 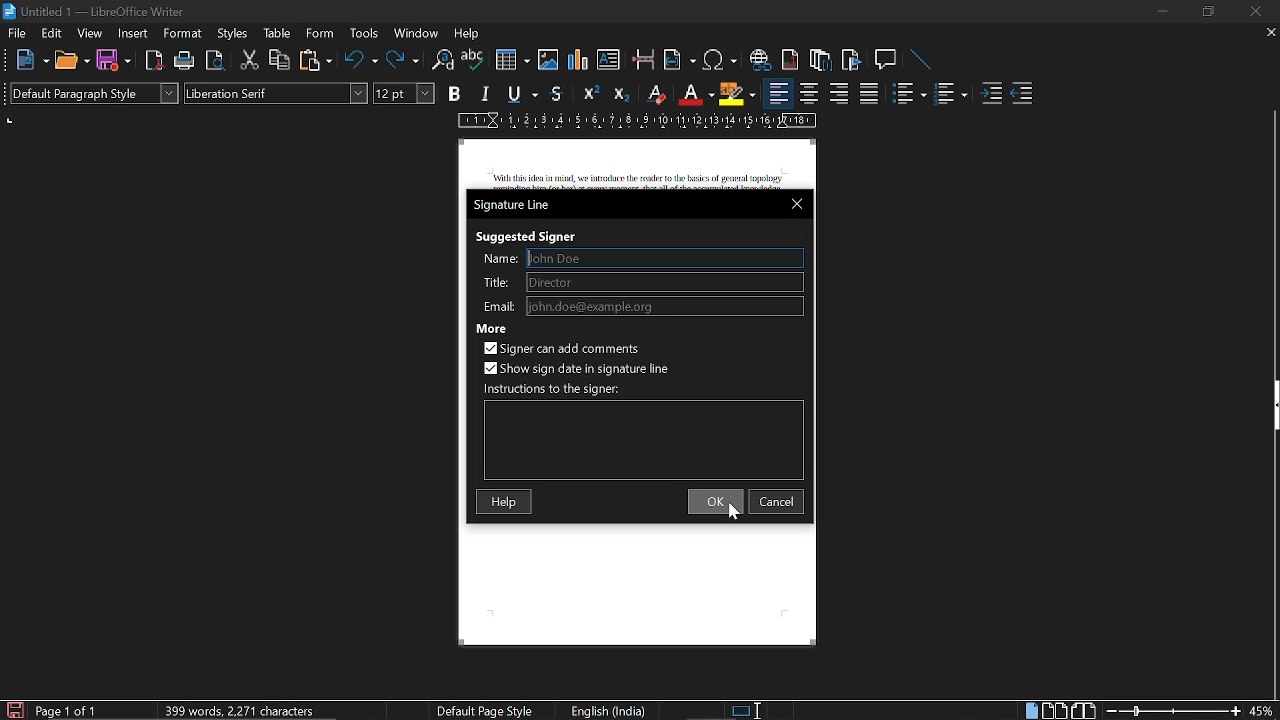 What do you see at coordinates (841, 94) in the screenshot?
I see `align right` at bounding box center [841, 94].